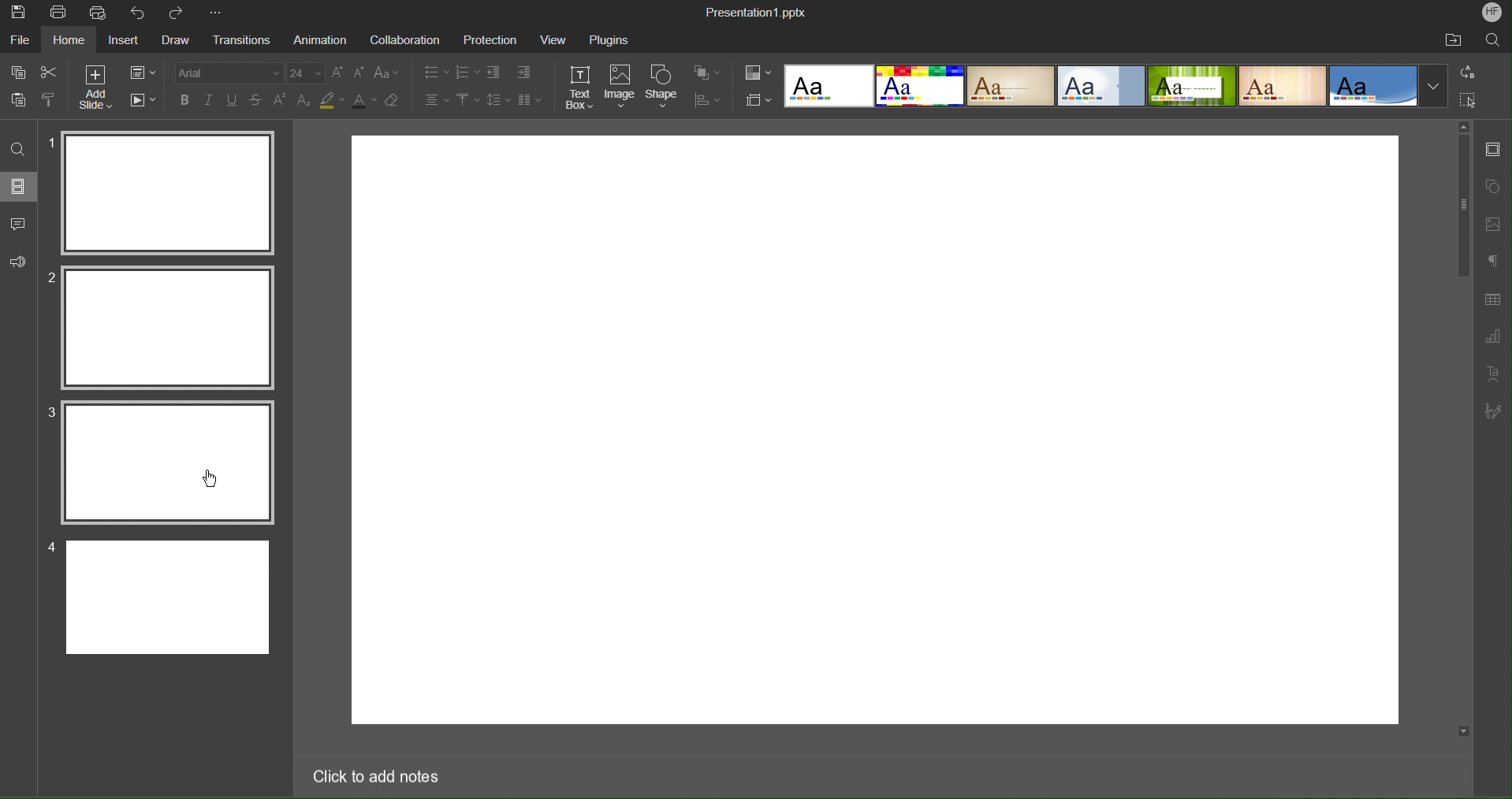  I want to click on Text Box, so click(581, 88).